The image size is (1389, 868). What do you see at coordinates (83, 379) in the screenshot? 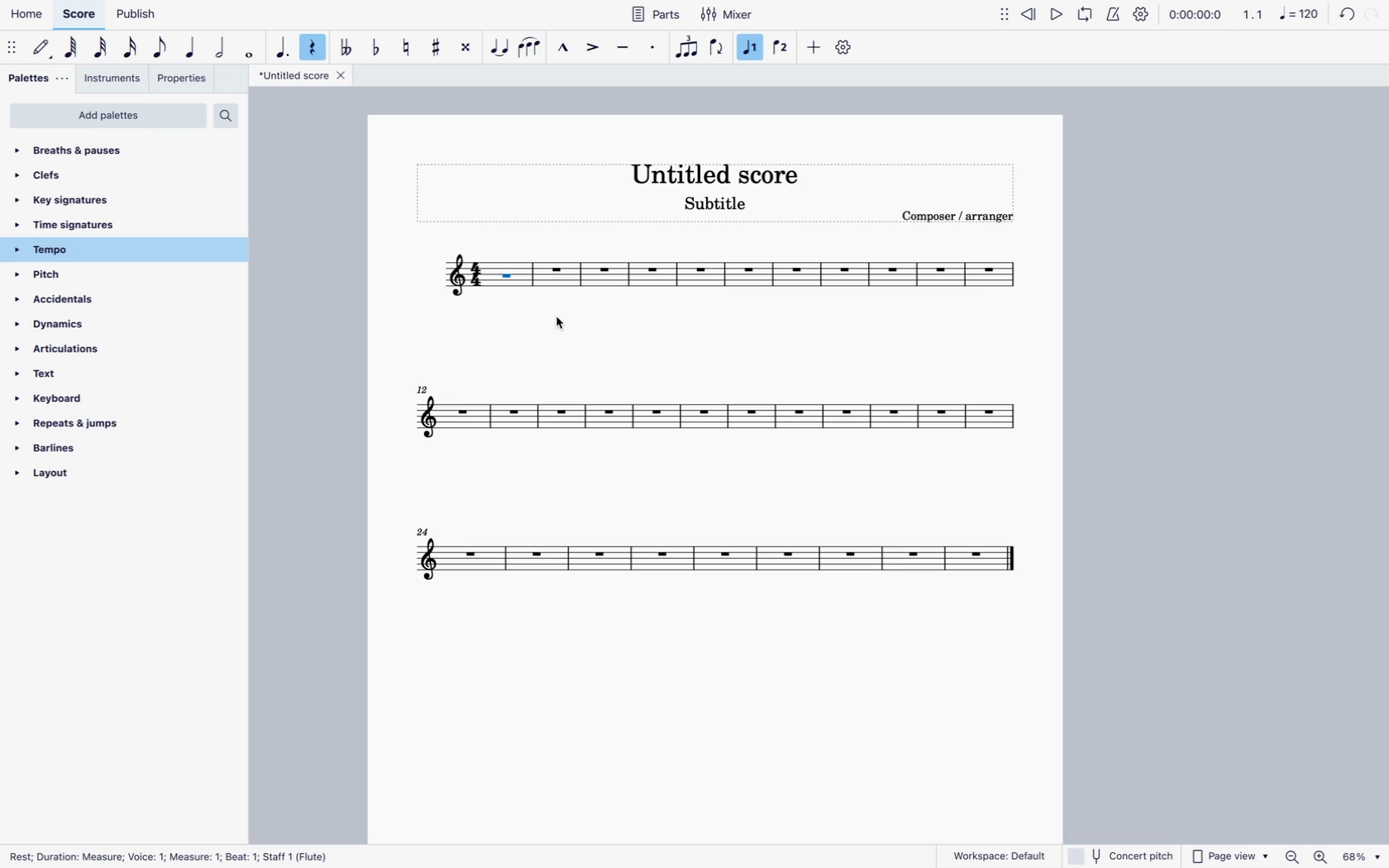
I see `text` at bounding box center [83, 379].